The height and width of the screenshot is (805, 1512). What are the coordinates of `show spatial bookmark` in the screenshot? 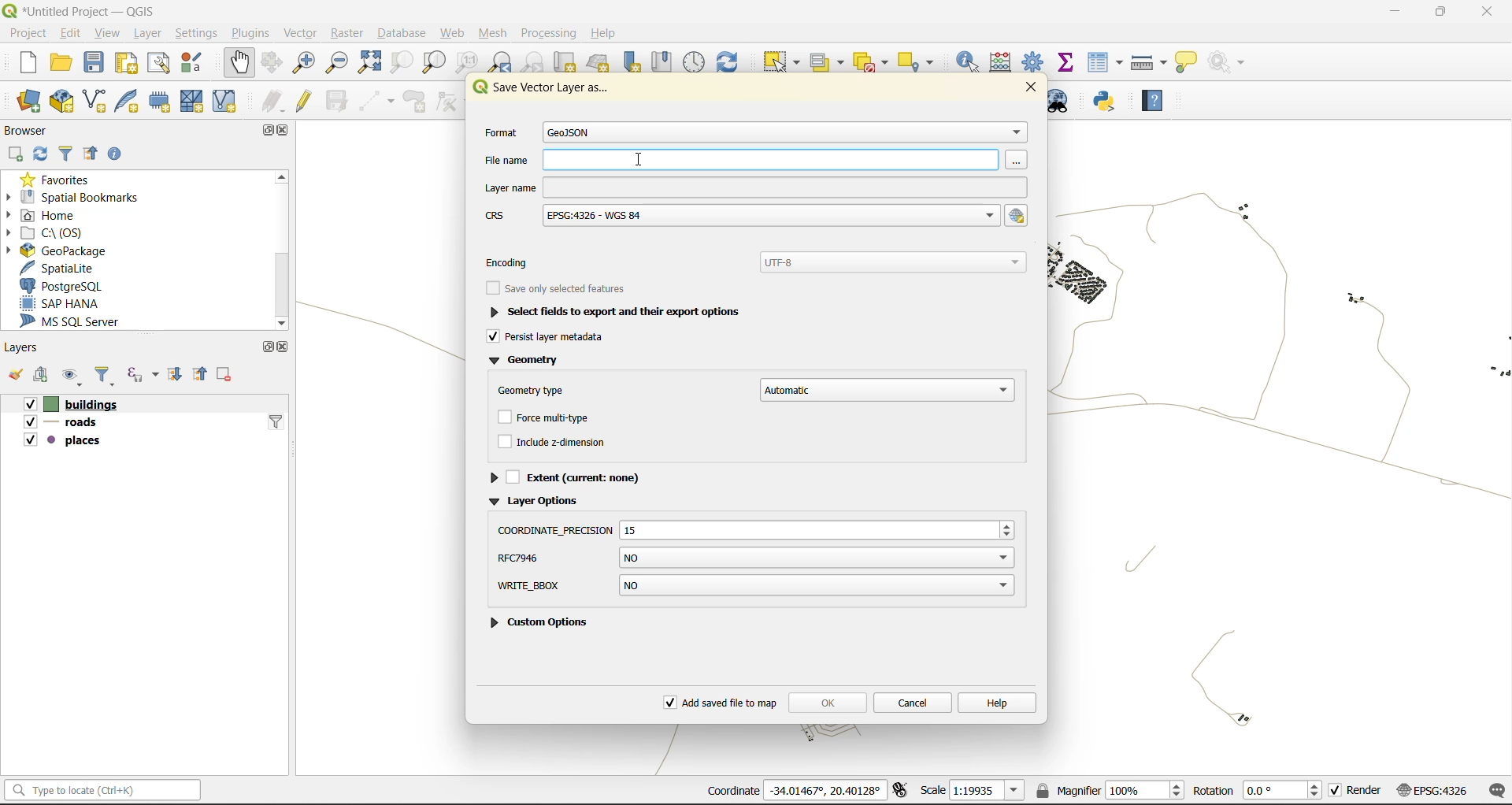 It's located at (665, 62).